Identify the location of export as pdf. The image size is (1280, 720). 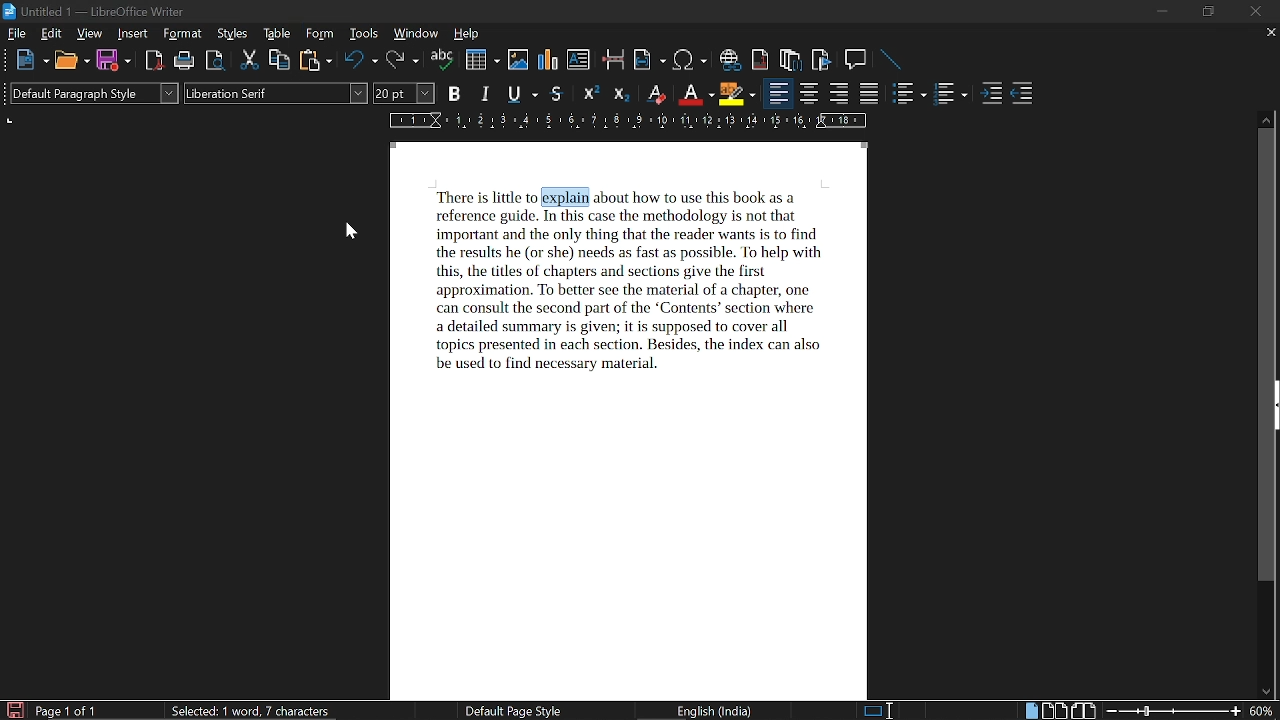
(156, 61).